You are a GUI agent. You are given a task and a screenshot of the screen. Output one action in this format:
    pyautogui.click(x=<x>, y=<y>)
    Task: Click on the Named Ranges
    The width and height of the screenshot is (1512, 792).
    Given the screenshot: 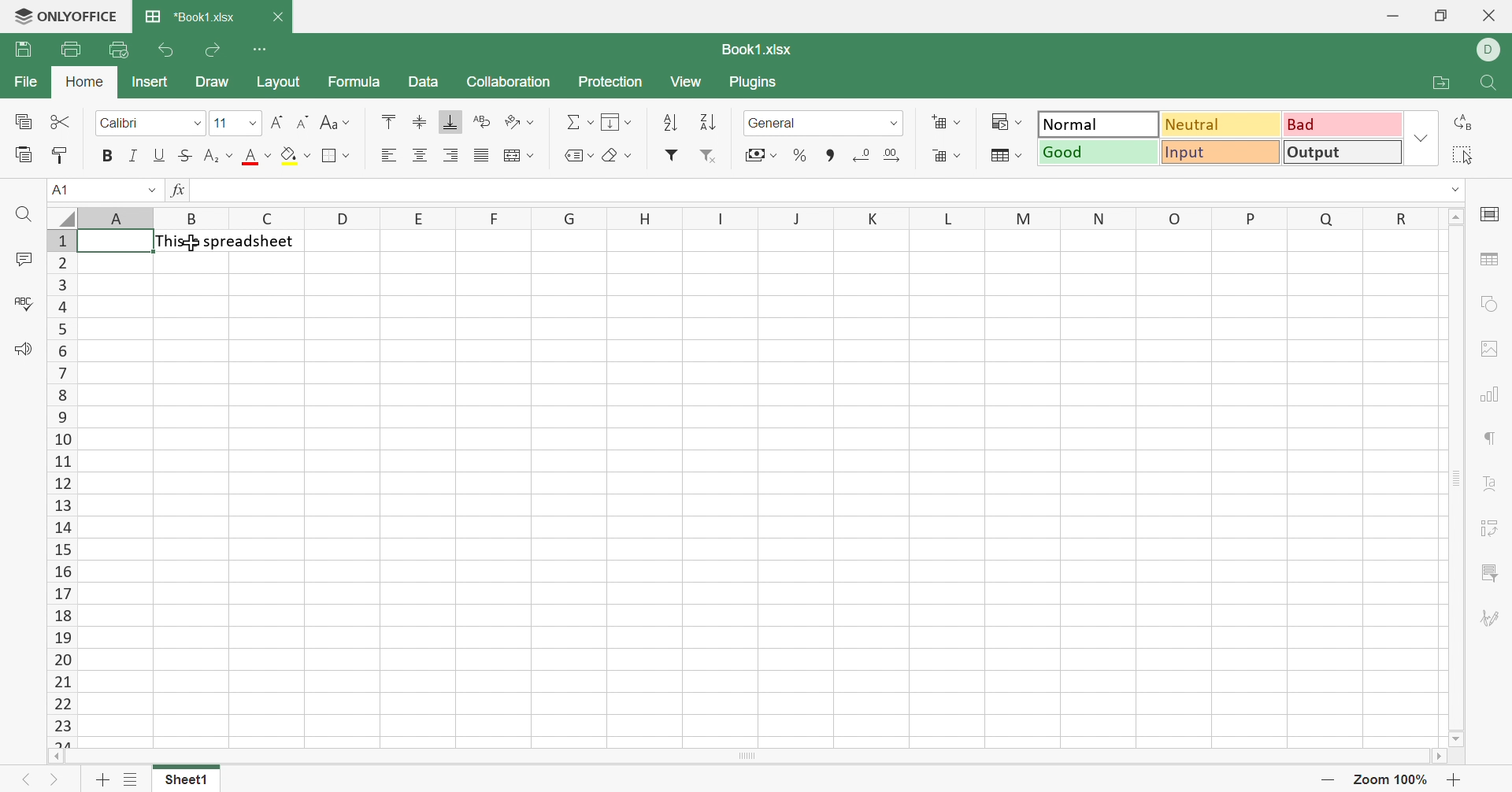 What is the action you would take?
    pyautogui.click(x=571, y=157)
    